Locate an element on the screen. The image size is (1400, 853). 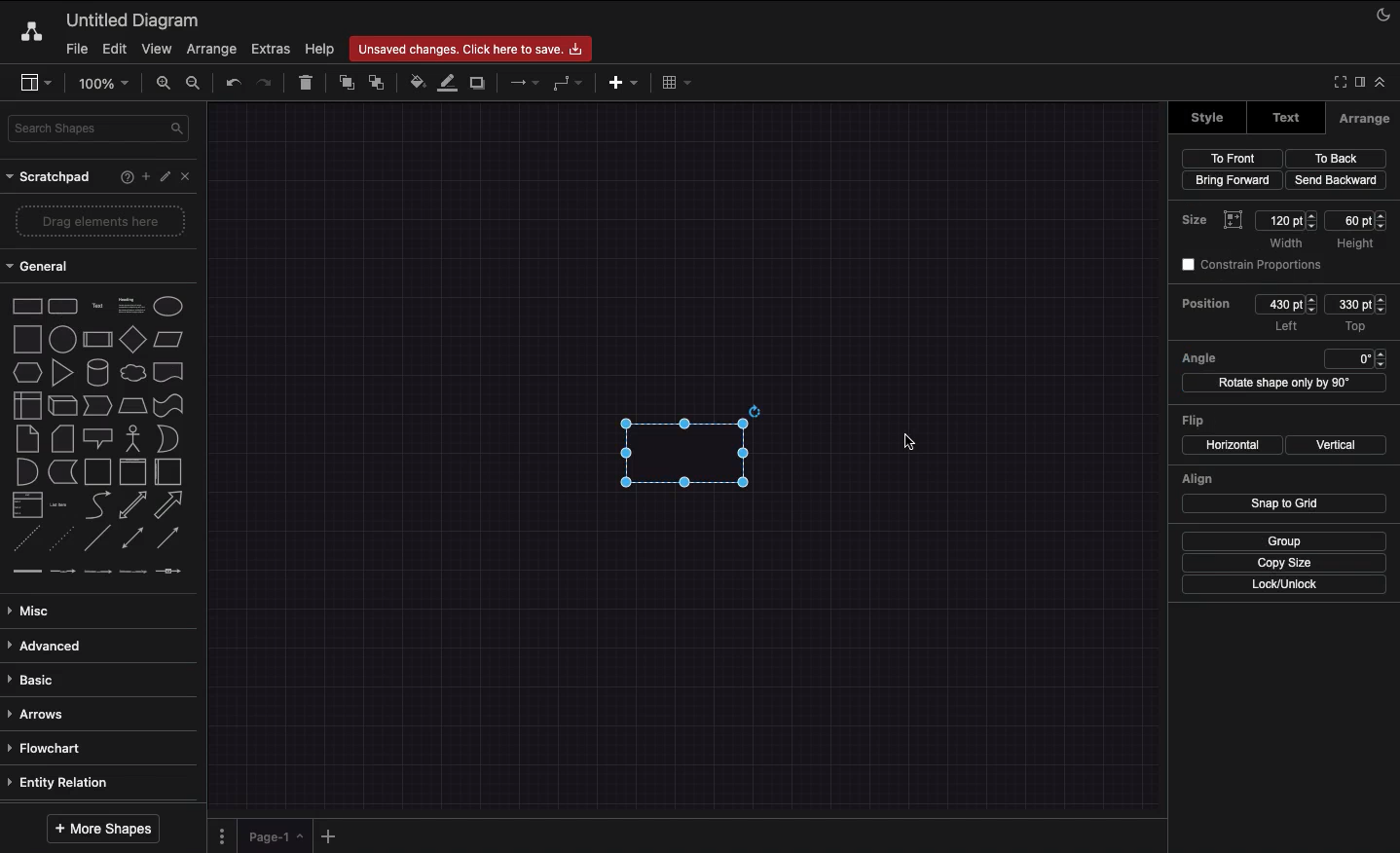
Extras is located at coordinates (268, 50).